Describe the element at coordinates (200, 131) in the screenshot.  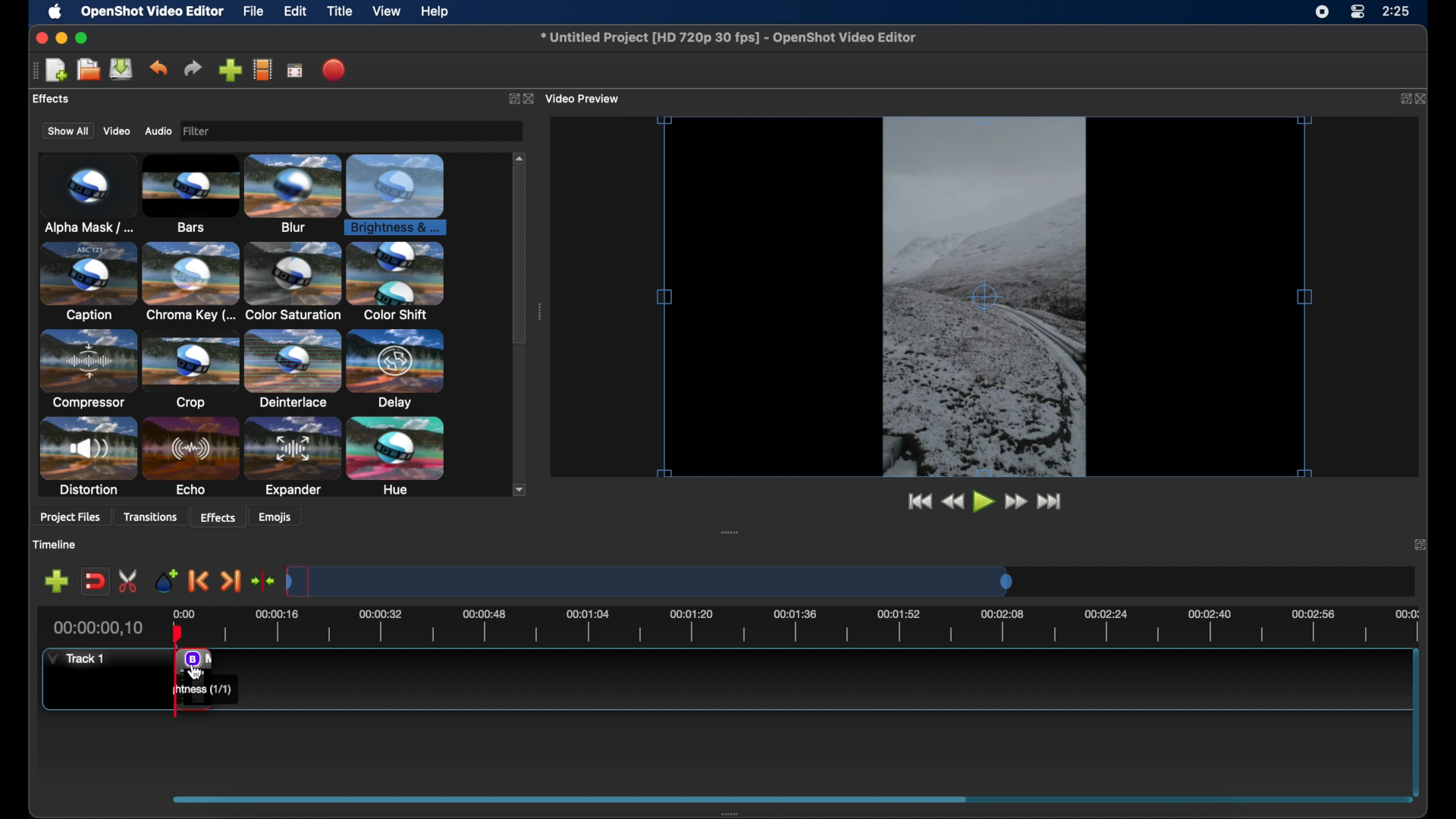
I see `image` at that location.